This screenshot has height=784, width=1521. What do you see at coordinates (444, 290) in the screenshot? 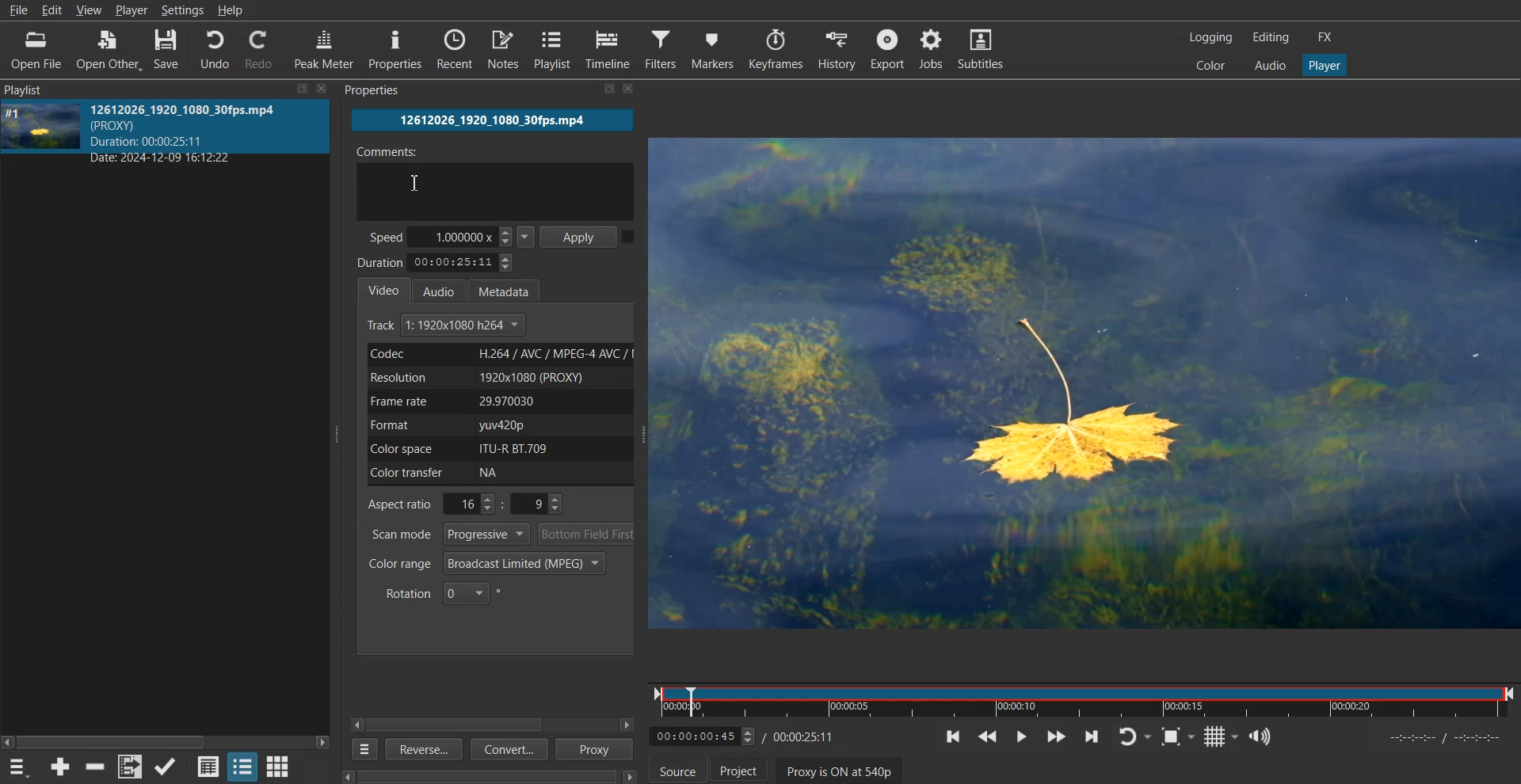
I see `Audio` at bounding box center [444, 290].